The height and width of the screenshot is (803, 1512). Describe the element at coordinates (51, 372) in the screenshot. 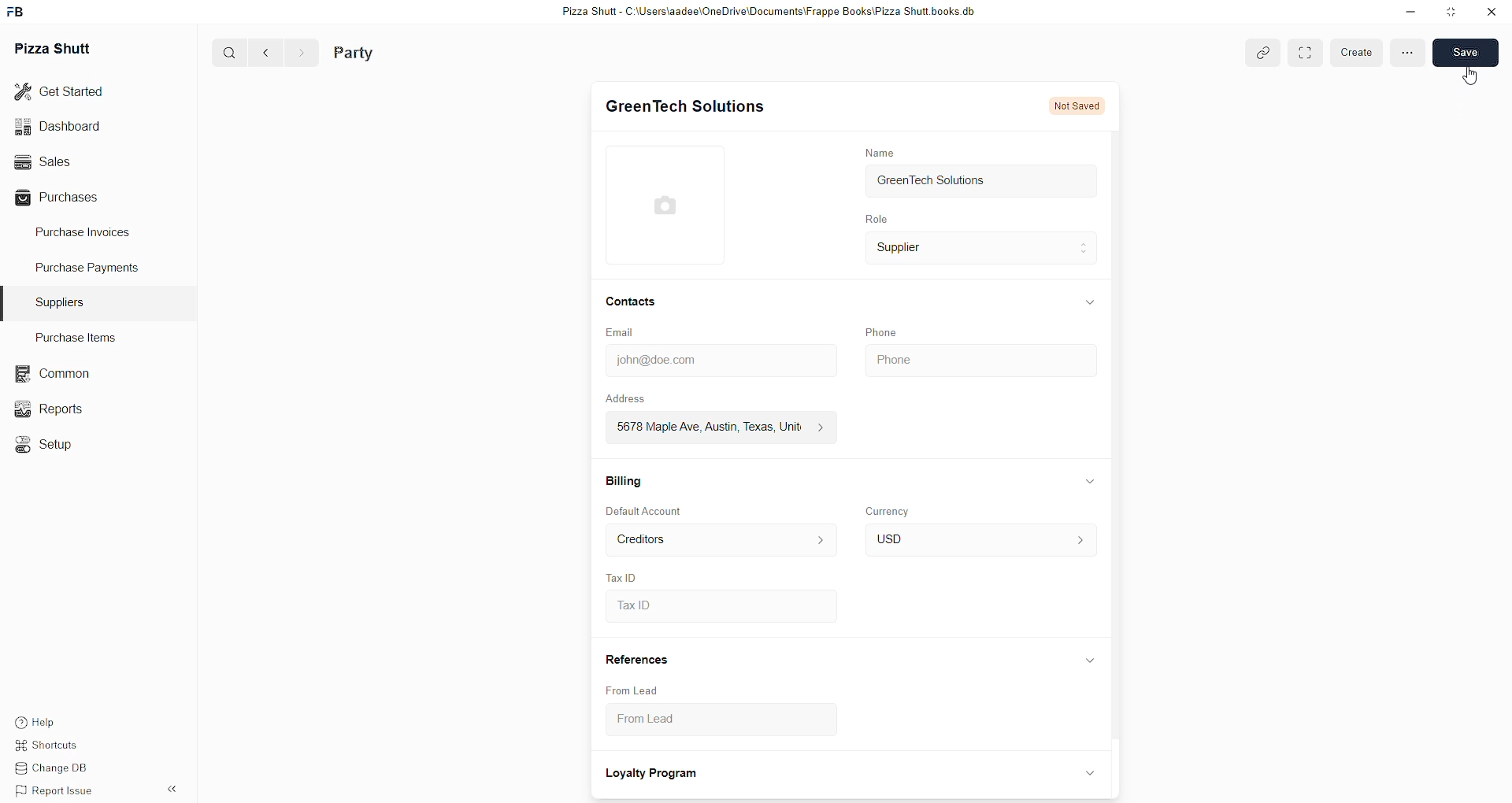

I see `‘Common` at that location.